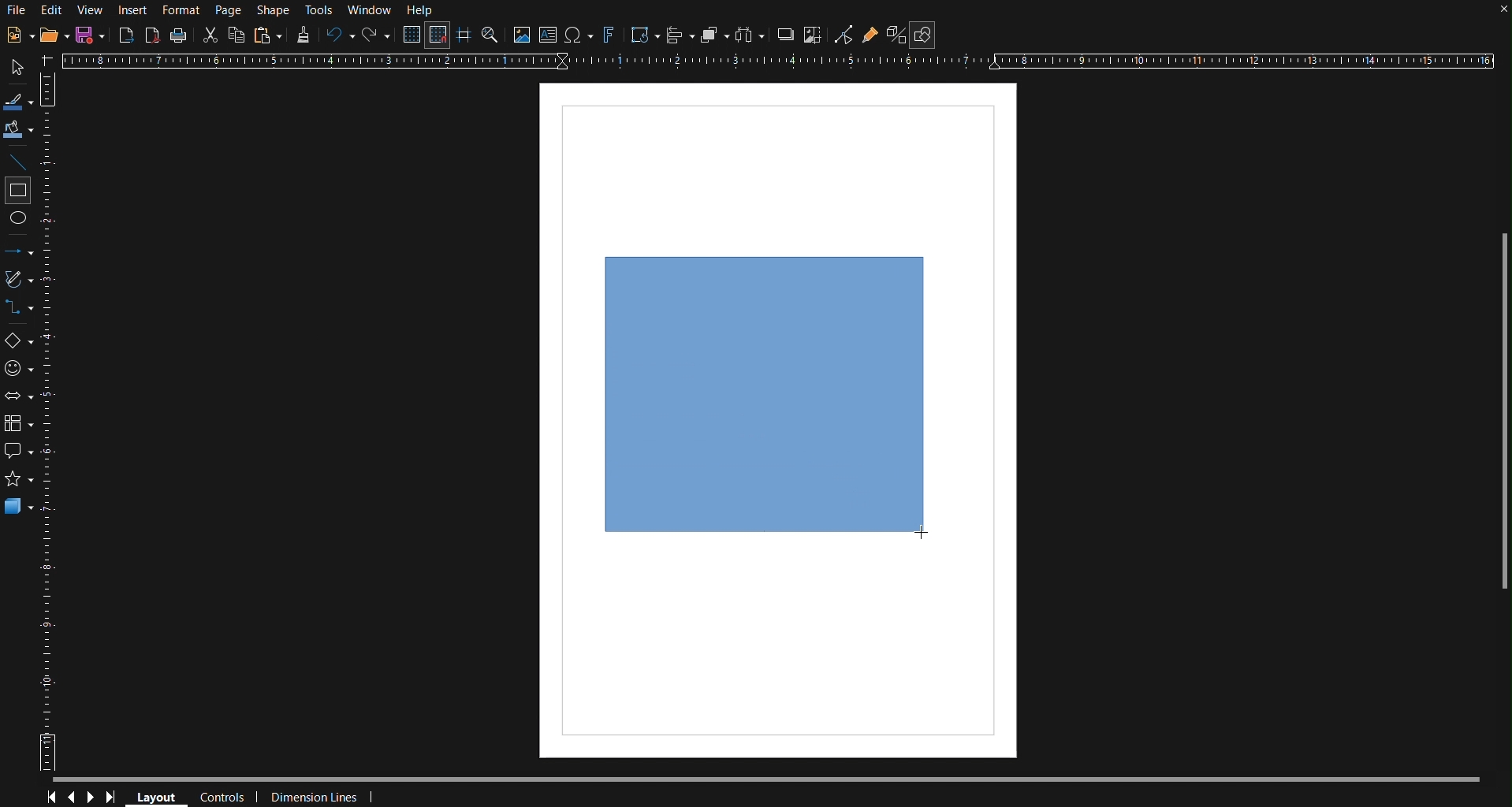 Image resolution: width=1512 pixels, height=807 pixels. I want to click on Display Grid, so click(413, 34).